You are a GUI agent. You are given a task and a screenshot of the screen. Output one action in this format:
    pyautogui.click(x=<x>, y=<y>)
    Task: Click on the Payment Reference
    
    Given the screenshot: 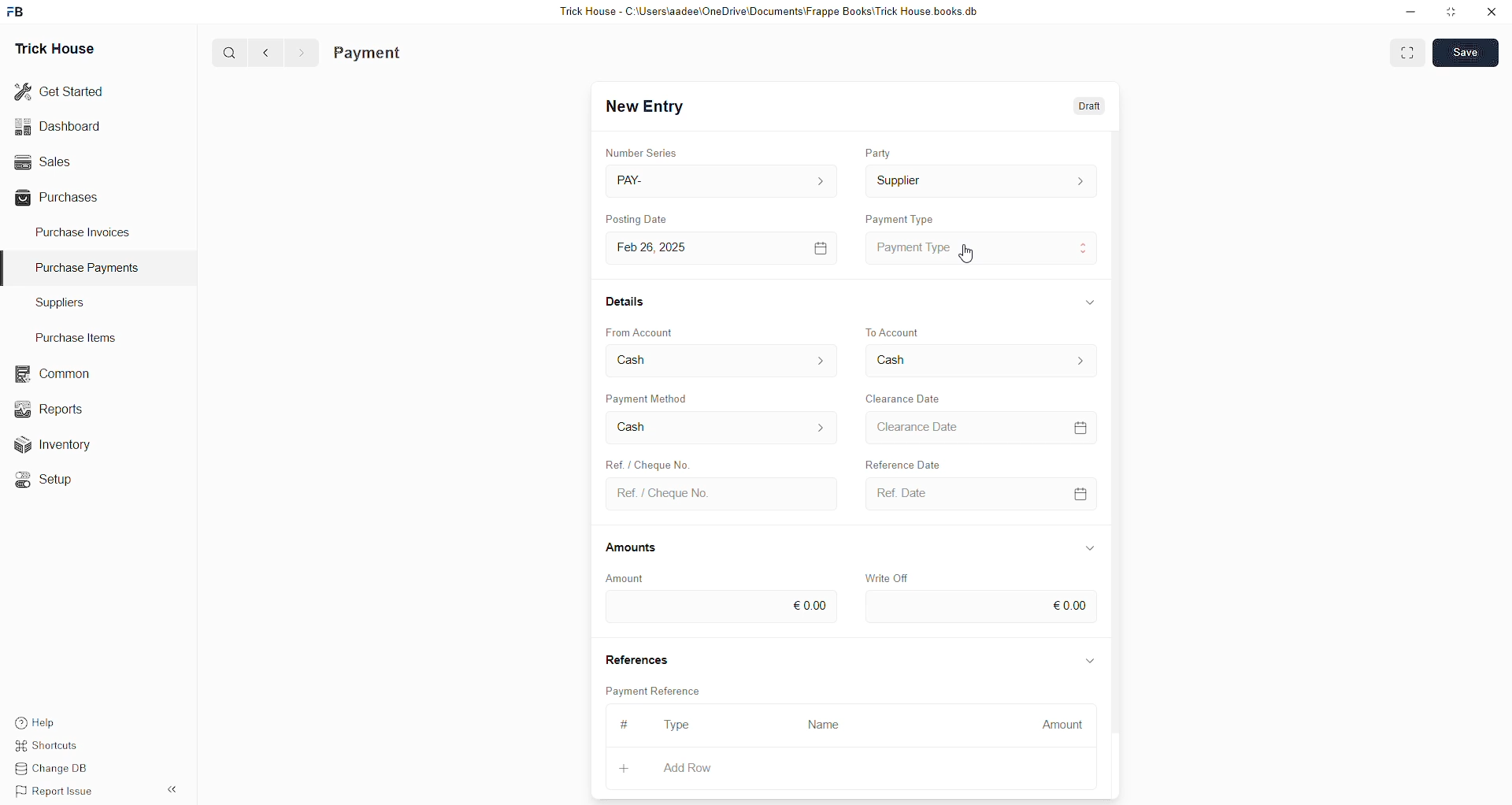 What is the action you would take?
    pyautogui.click(x=653, y=690)
    